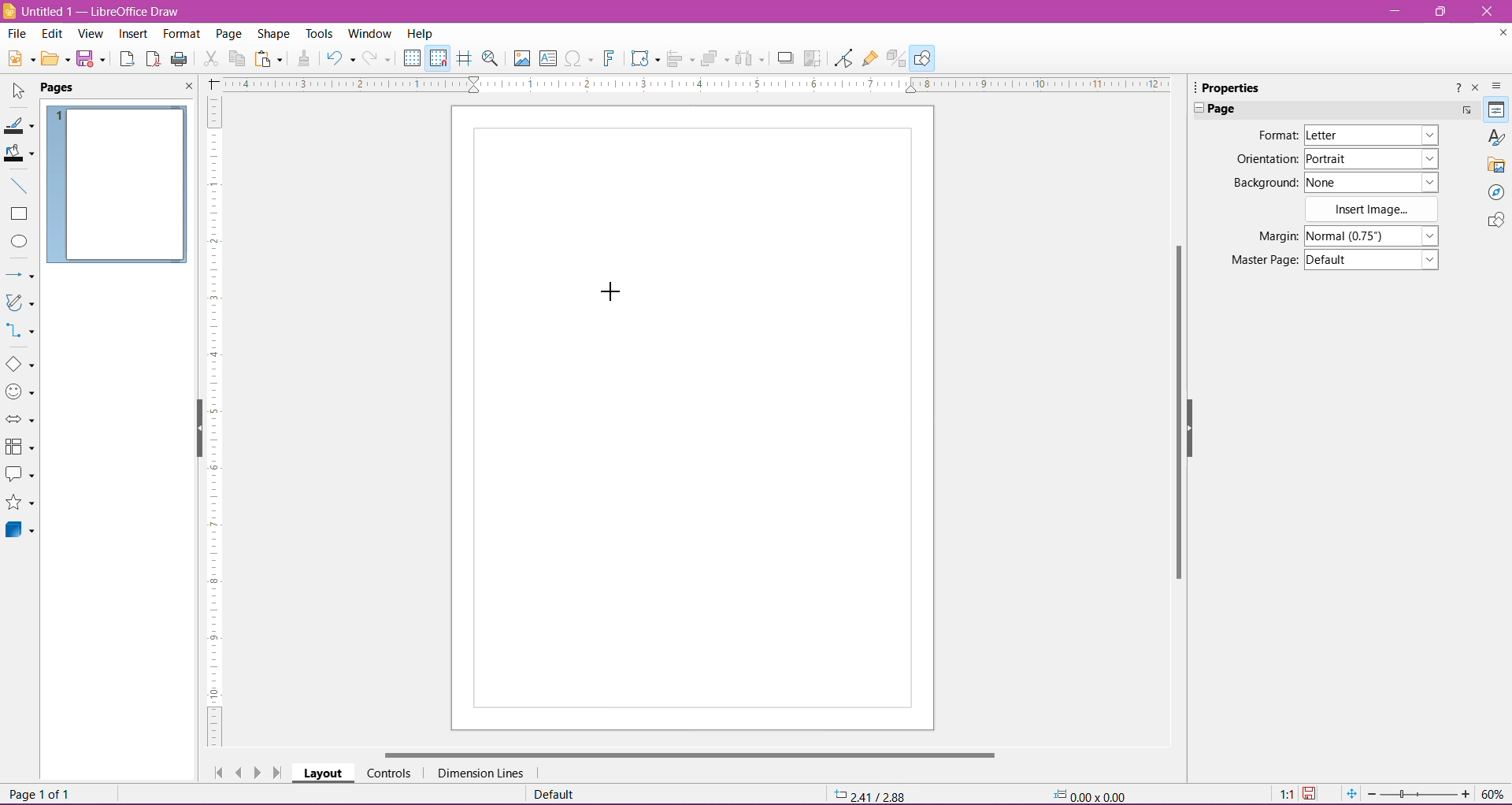 The width and height of the screenshot is (1512, 805). What do you see at coordinates (273, 35) in the screenshot?
I see `Shape` at bounding box center [273, 35].